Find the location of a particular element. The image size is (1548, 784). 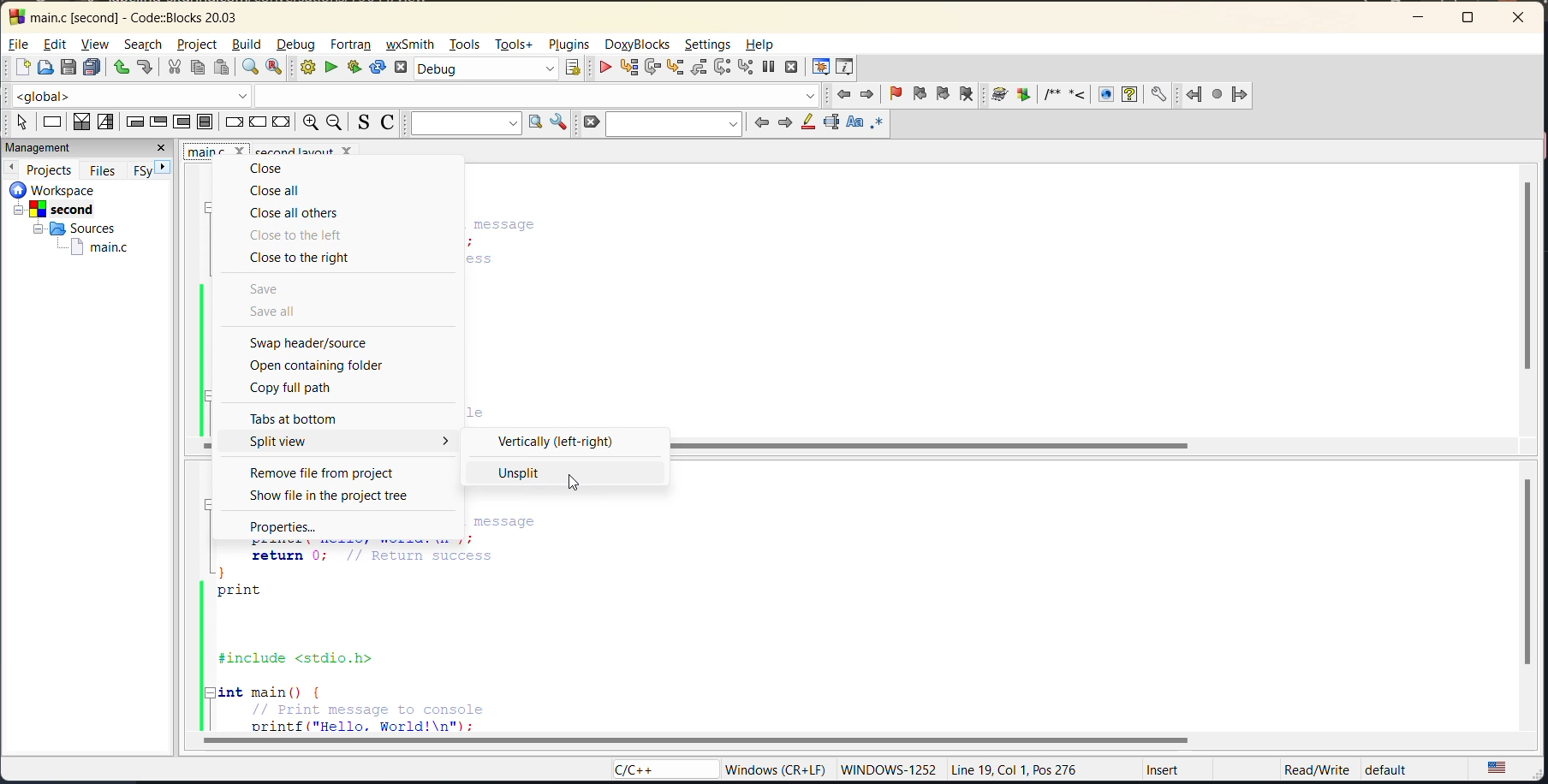

close is located at coordinates (267, 168).